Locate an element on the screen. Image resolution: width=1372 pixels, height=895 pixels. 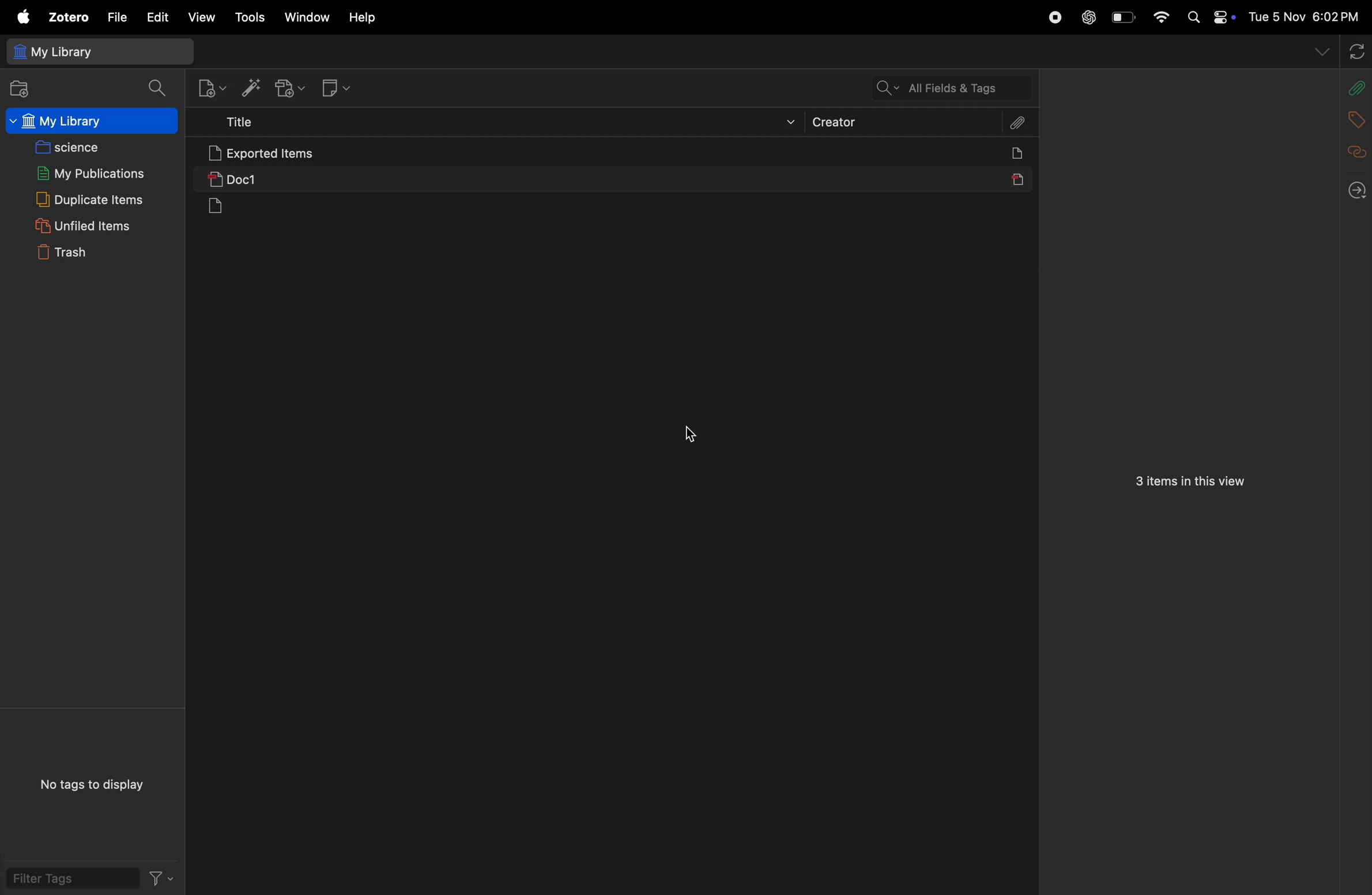
back is located at coordinates (1354, 187).